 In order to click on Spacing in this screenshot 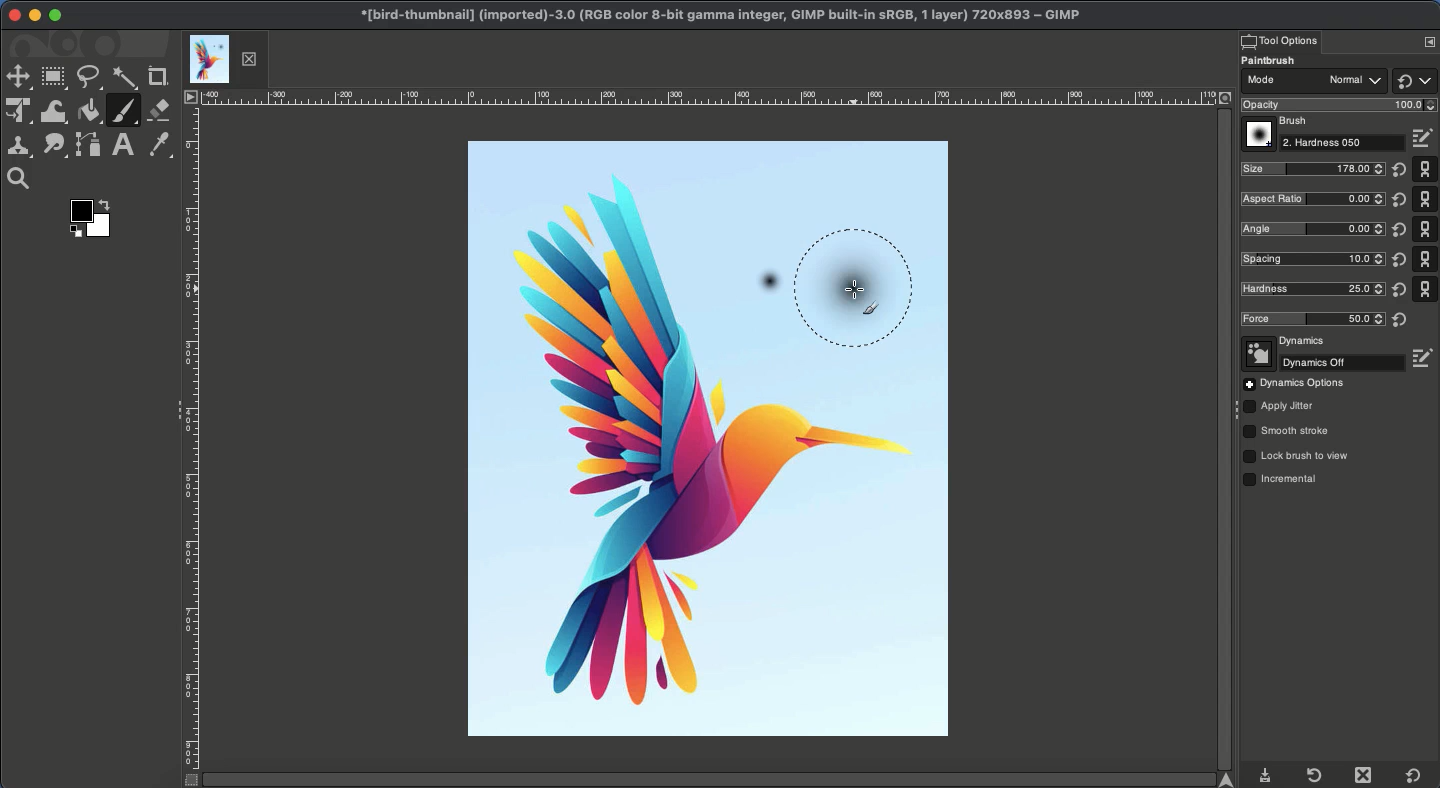, I will do `click(1310, 258)`.